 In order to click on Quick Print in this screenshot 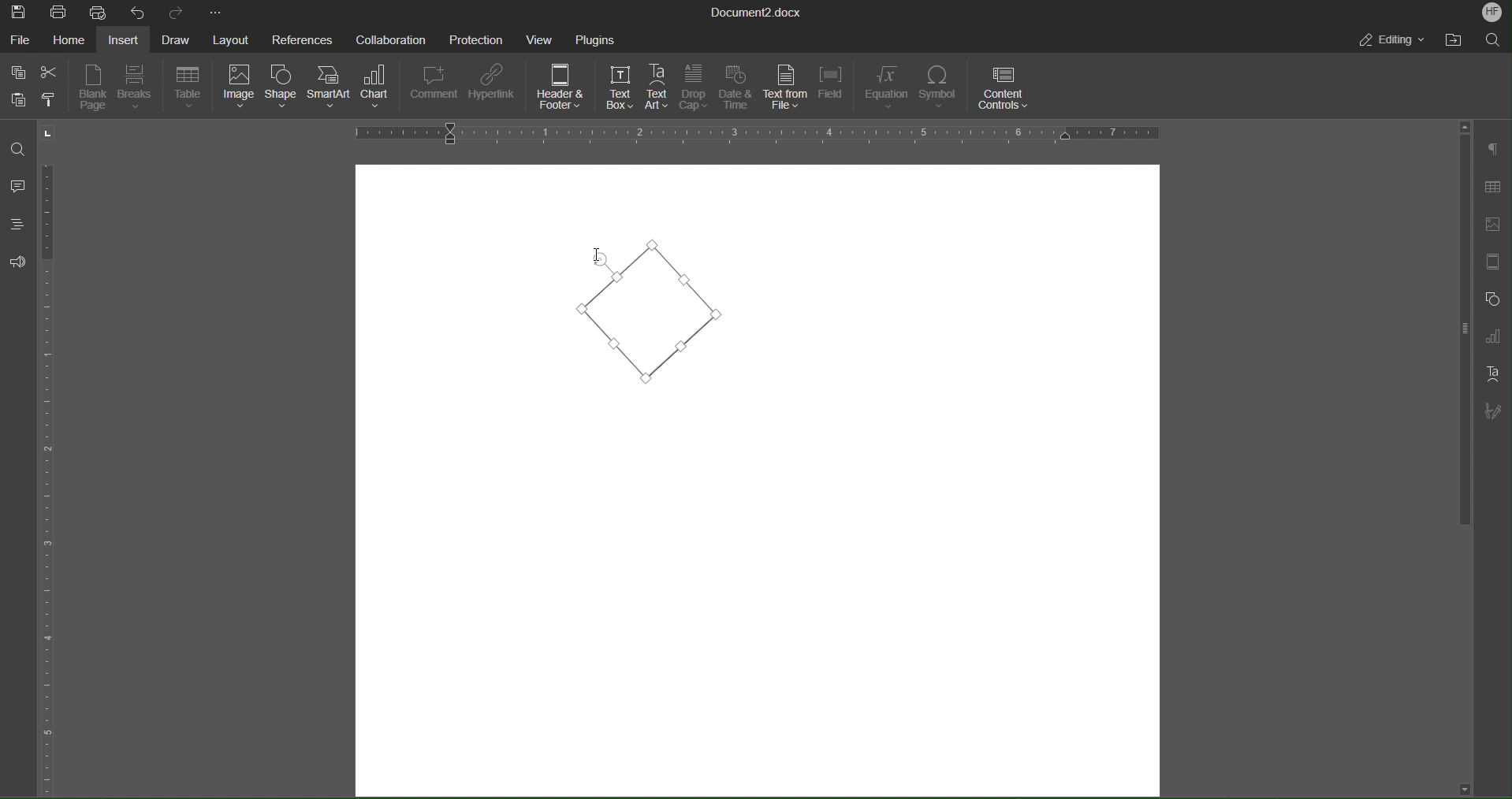, I will do `click(99, 11)`.